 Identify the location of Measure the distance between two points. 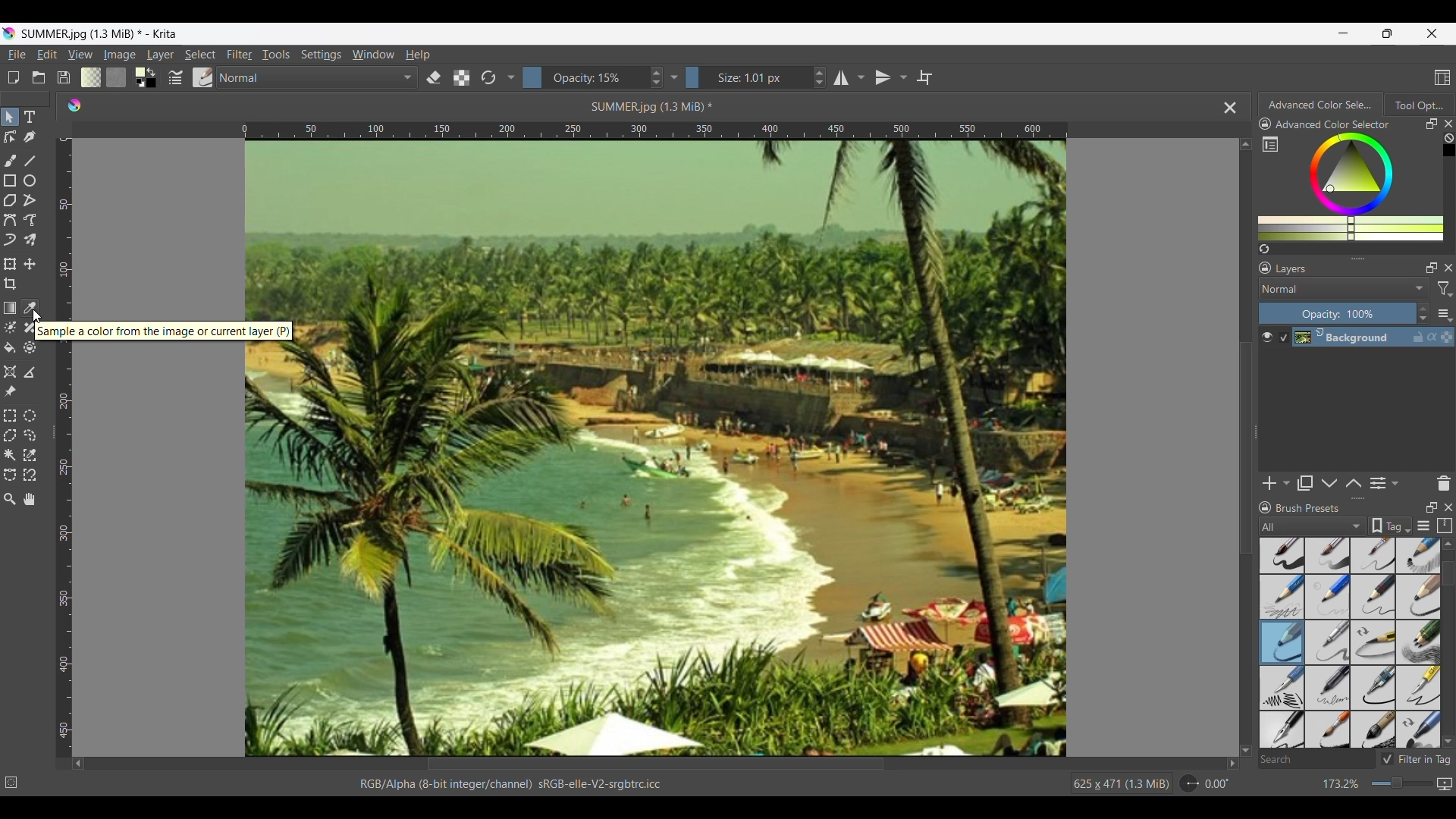
(30, 373).